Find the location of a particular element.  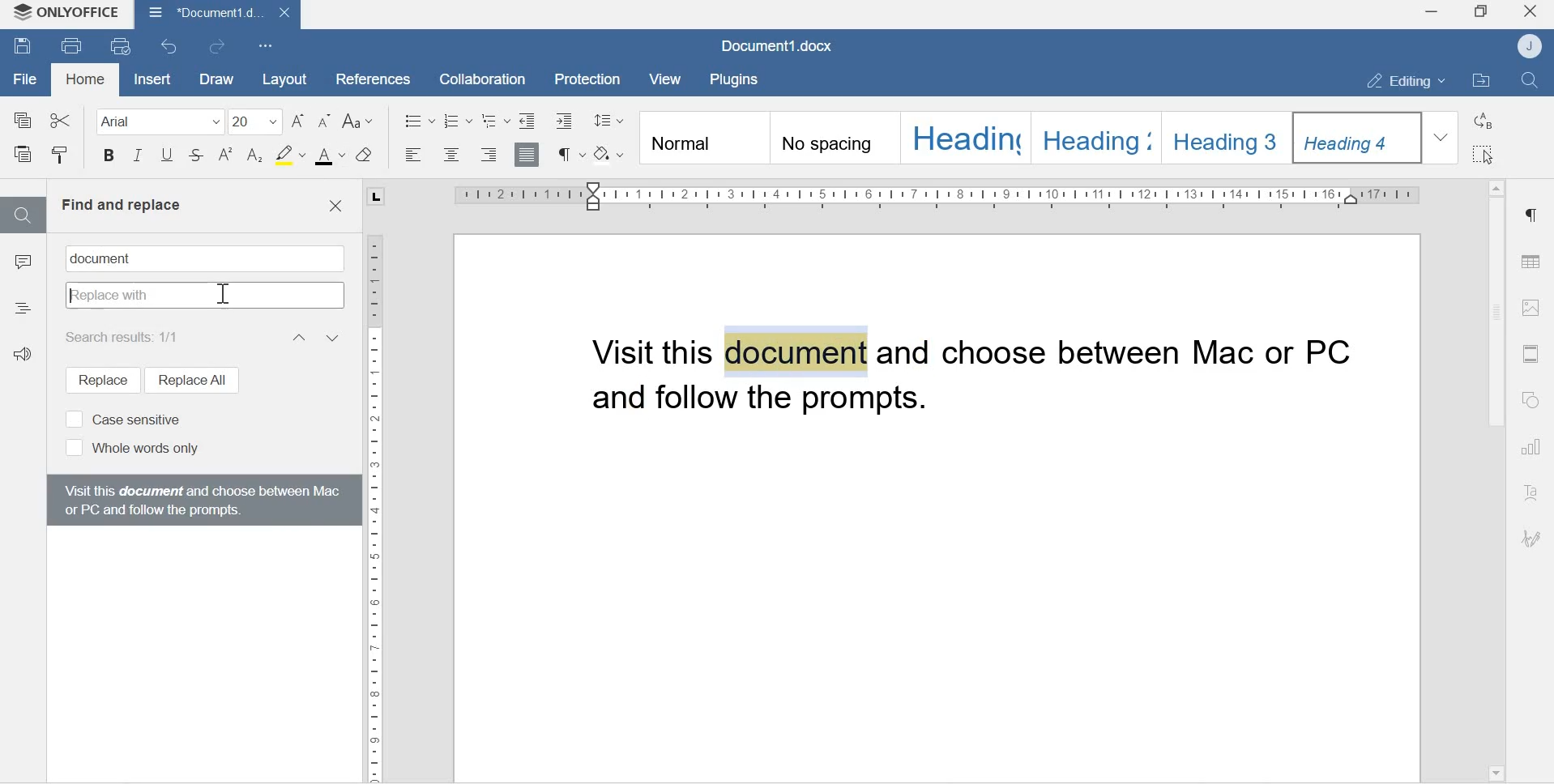

Comments is located at coordinates (23, 266).